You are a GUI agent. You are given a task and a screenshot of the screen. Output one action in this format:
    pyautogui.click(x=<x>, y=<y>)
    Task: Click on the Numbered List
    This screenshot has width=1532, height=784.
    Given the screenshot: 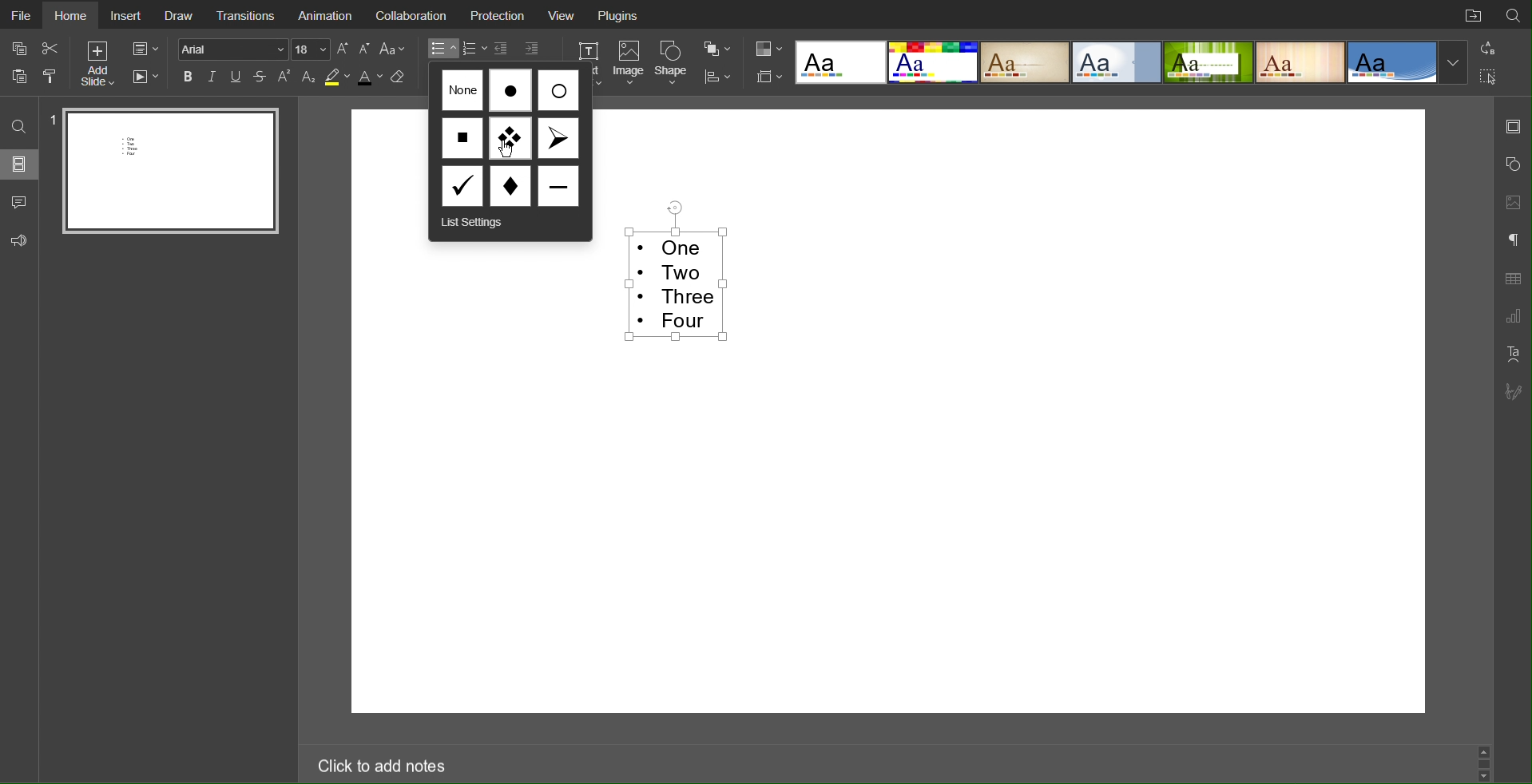 What is the action you would take?
    pyautogui.click(x=474, y=49)
    